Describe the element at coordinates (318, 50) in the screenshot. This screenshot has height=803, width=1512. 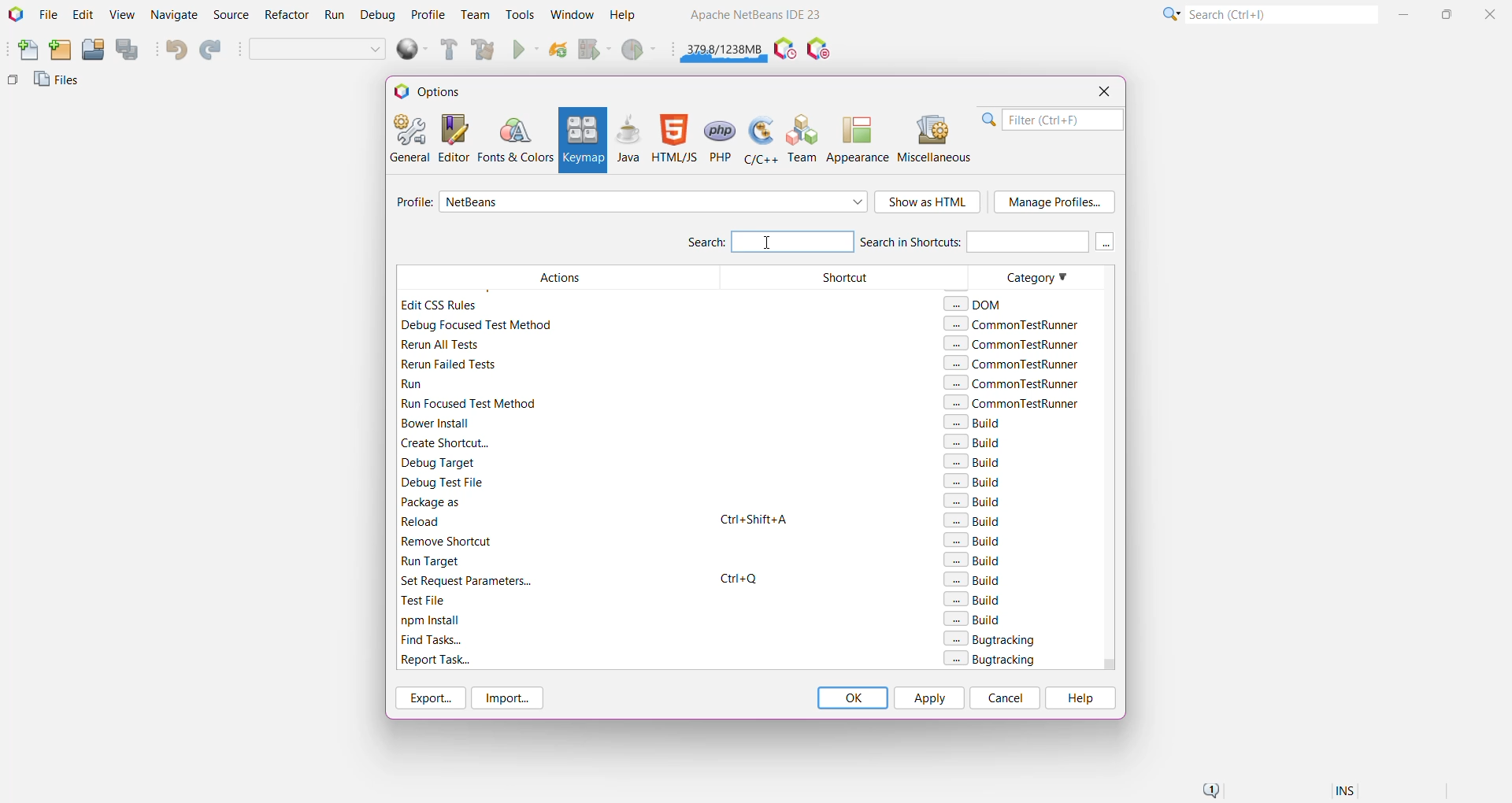
I see `Set Project Configuration` at that location.